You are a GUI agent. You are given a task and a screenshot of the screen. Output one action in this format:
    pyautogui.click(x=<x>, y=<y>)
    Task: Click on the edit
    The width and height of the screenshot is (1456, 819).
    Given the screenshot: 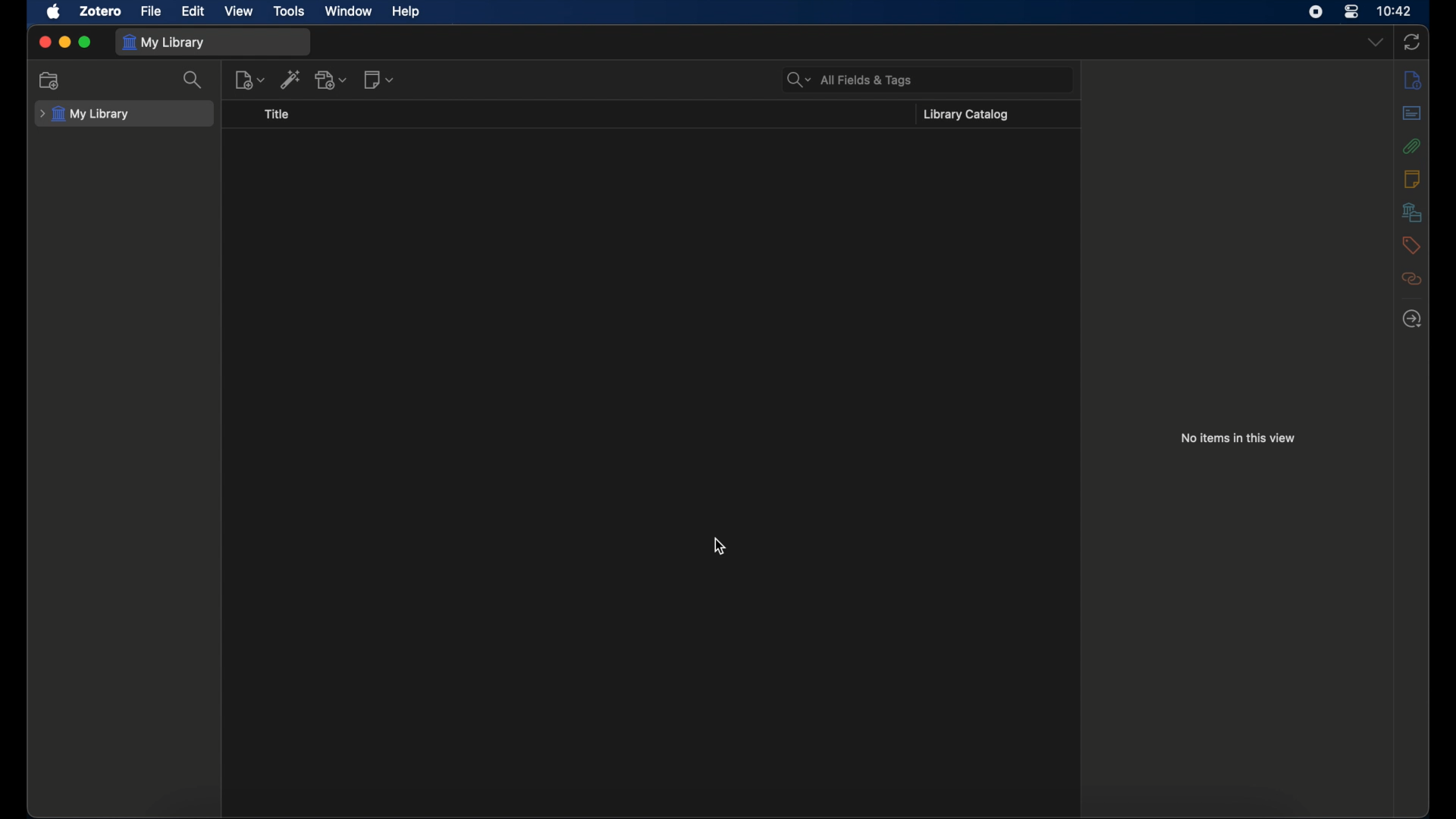 What is the action you would take?
    pyautogui.click(x=195, y=11)
    